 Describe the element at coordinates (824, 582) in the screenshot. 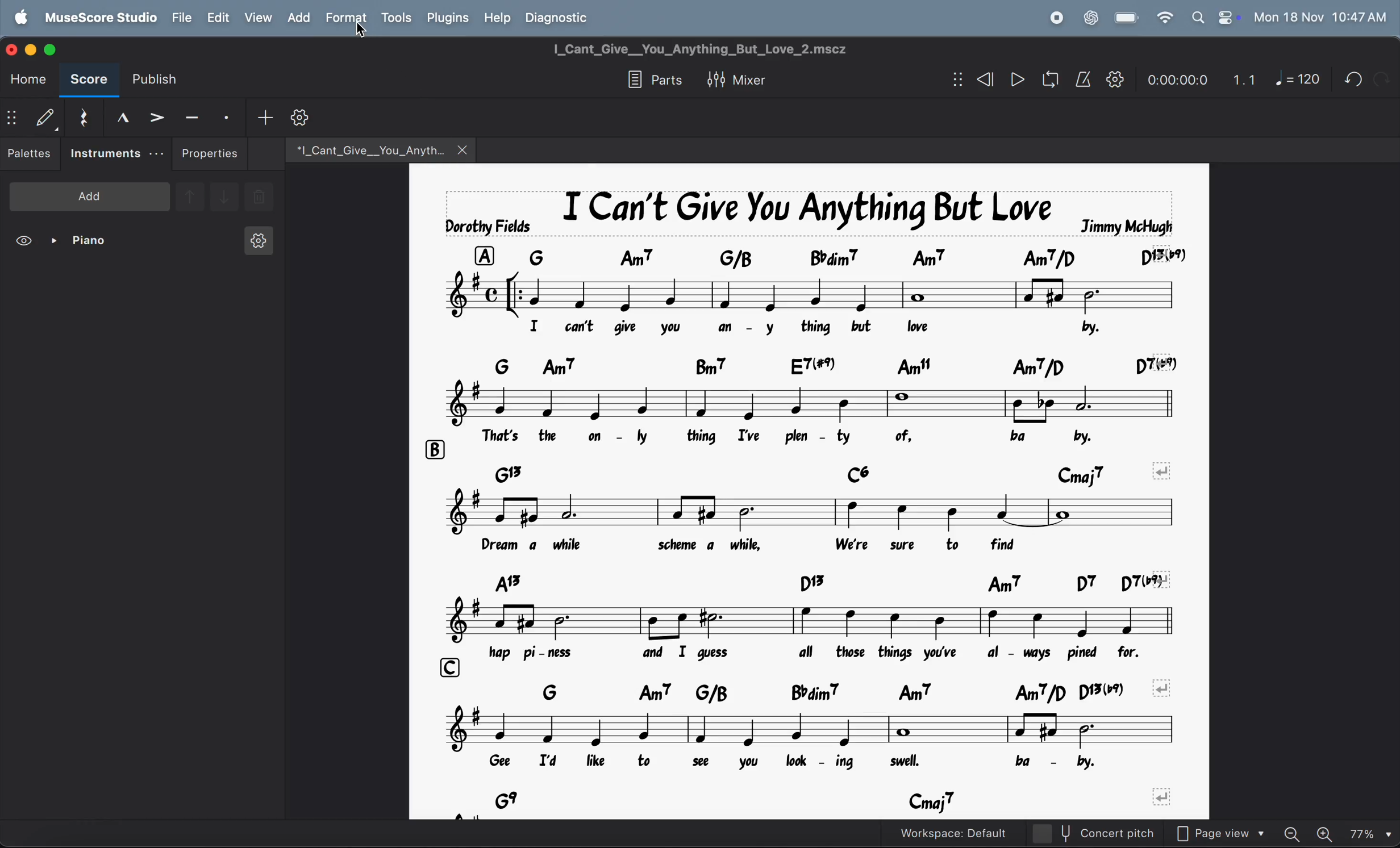

I see `chord symbols` at that location.